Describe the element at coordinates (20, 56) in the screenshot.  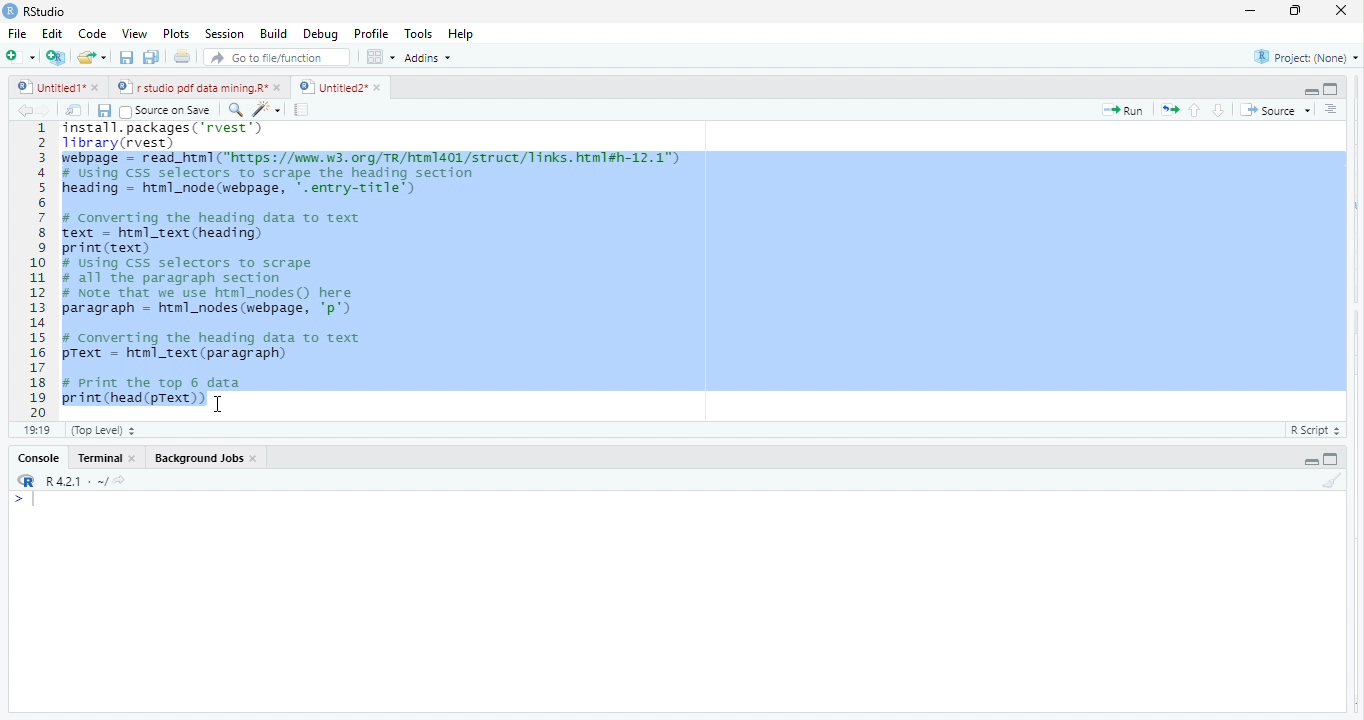
I see `new file` at that location.